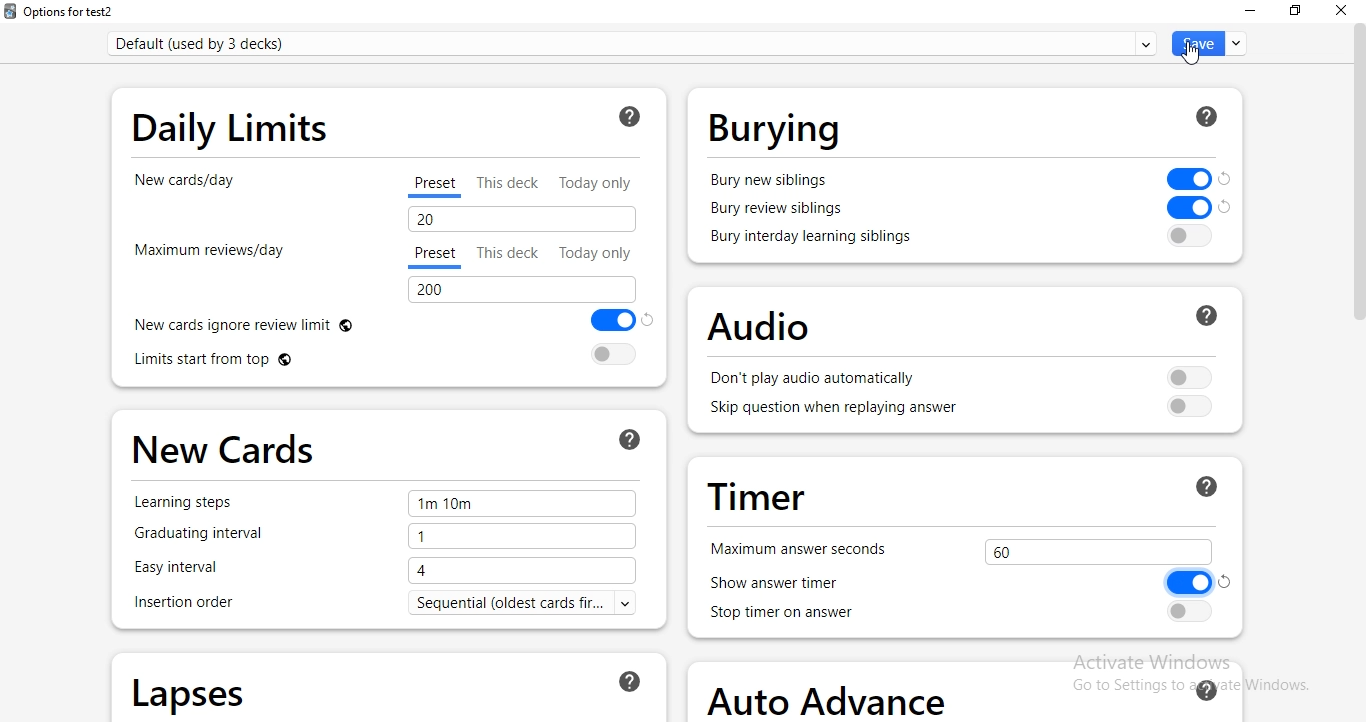  Describe the element at coordinates (525, 290) in the screenshot. I see `200` at that location.